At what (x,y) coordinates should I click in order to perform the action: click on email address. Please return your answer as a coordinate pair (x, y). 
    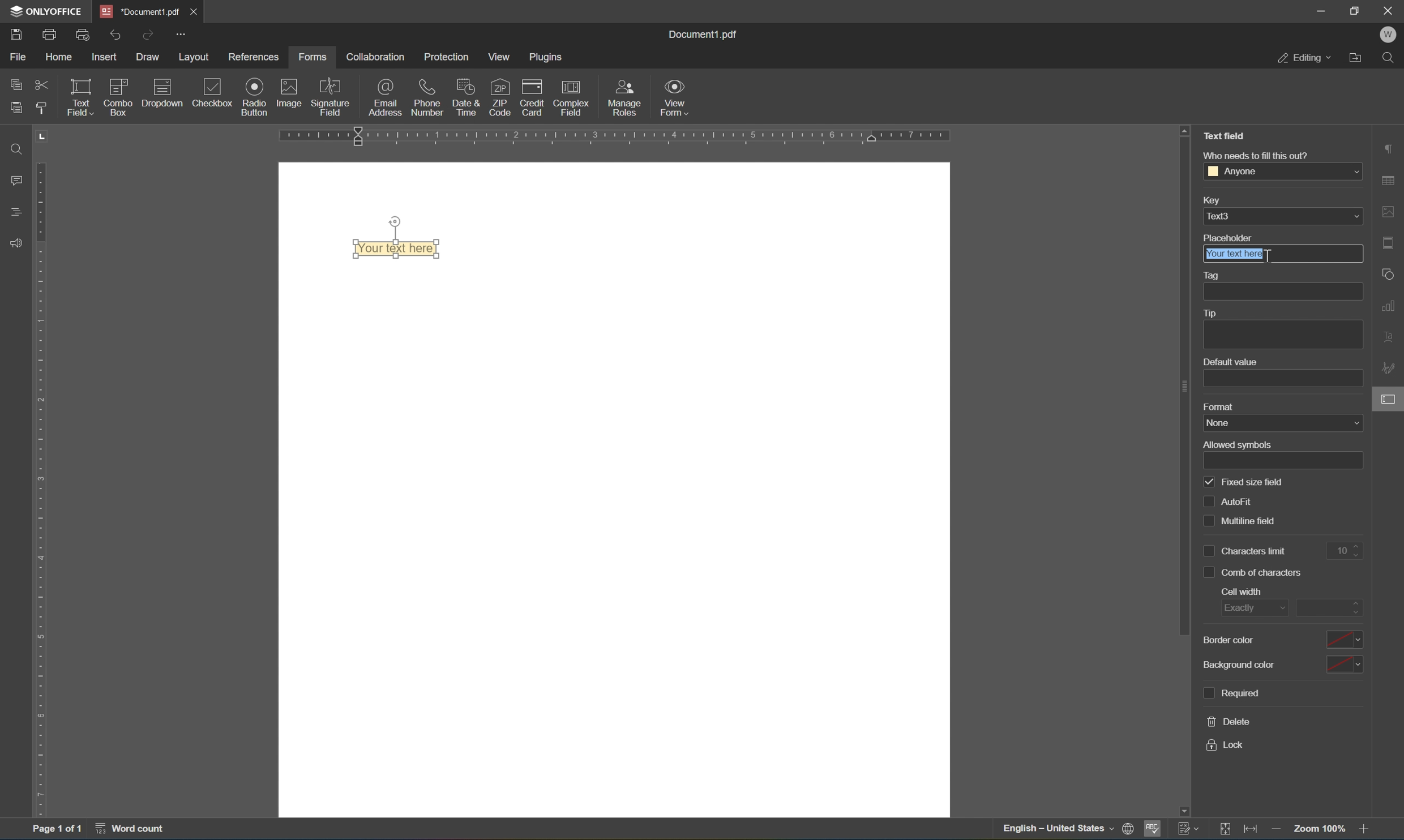
    Looking at the image, I should click on (386, 97).